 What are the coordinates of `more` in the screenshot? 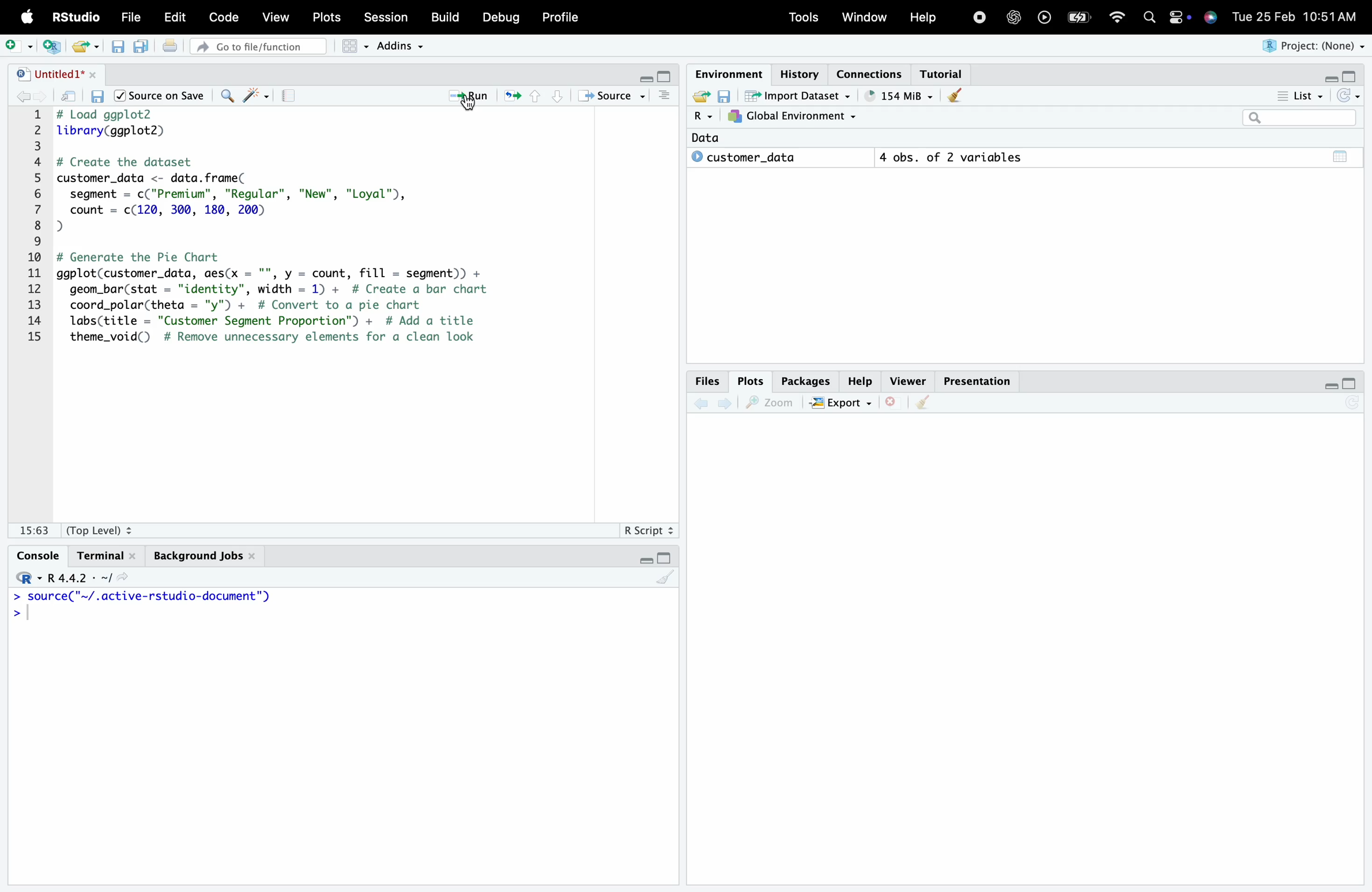 It's located at (666, 99).